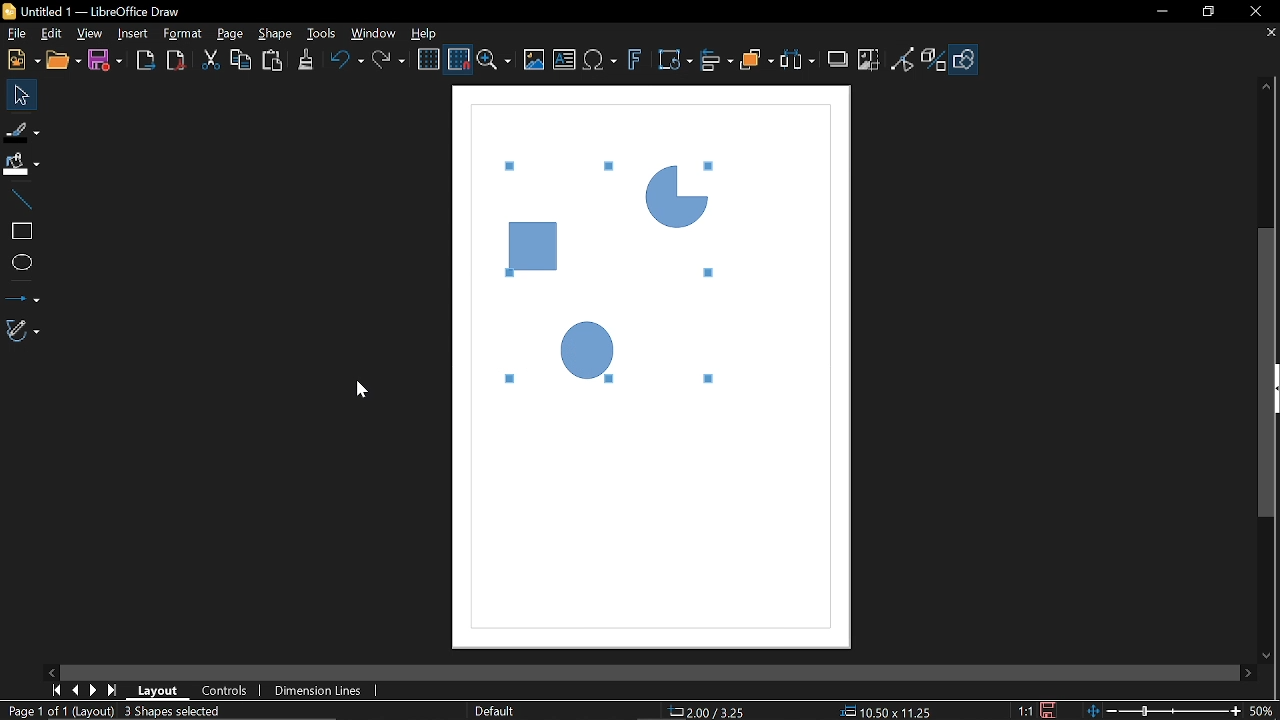 The image size is (1280, 720). What do you see at coordinates (757, 62) in the screenshot?
I see `Arrange` at bounding box center [757, 62].